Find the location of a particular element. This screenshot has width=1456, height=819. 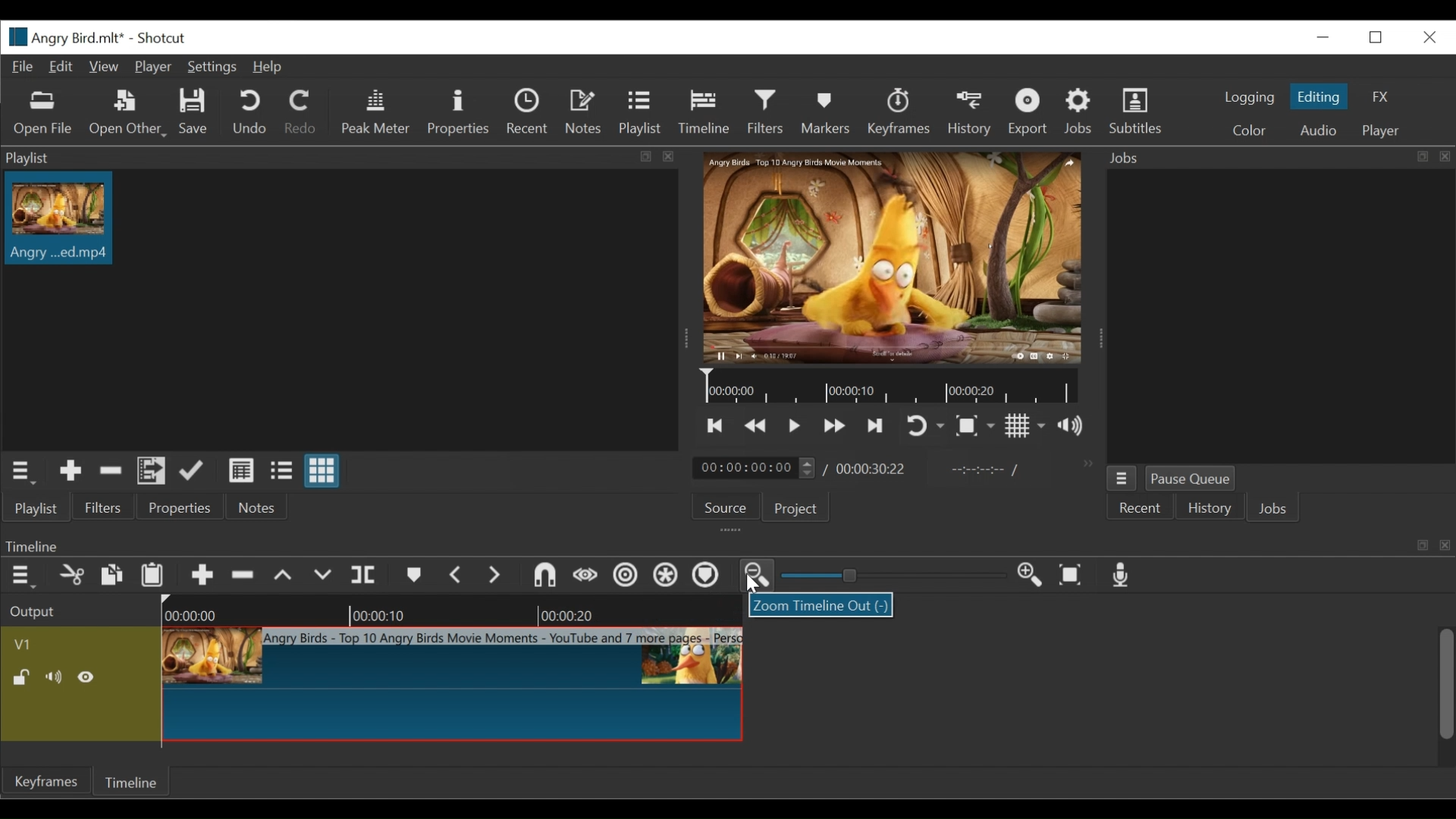

vertical scroll bar is located at coordinates (1437, 700).